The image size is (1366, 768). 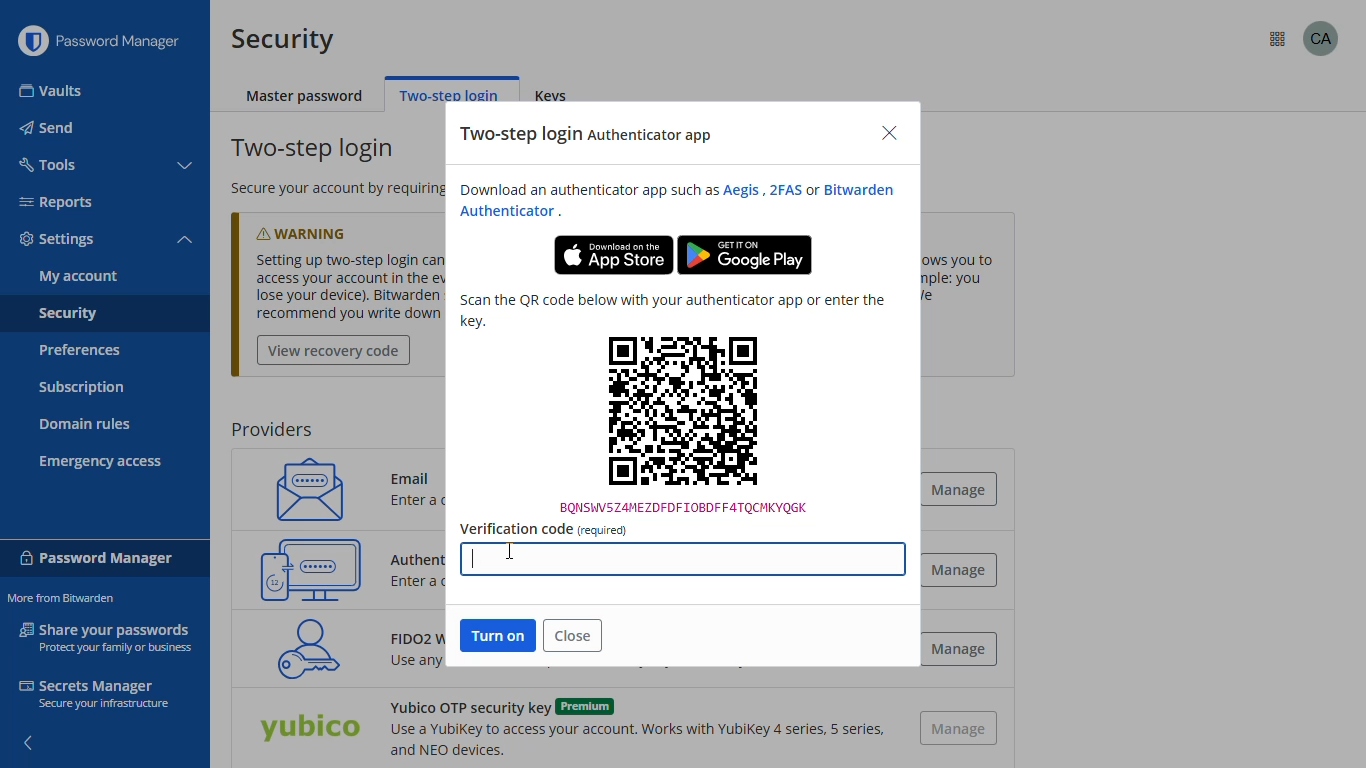 I want to click on FIDO2 WebAuthn, so click(x=302, y=648).